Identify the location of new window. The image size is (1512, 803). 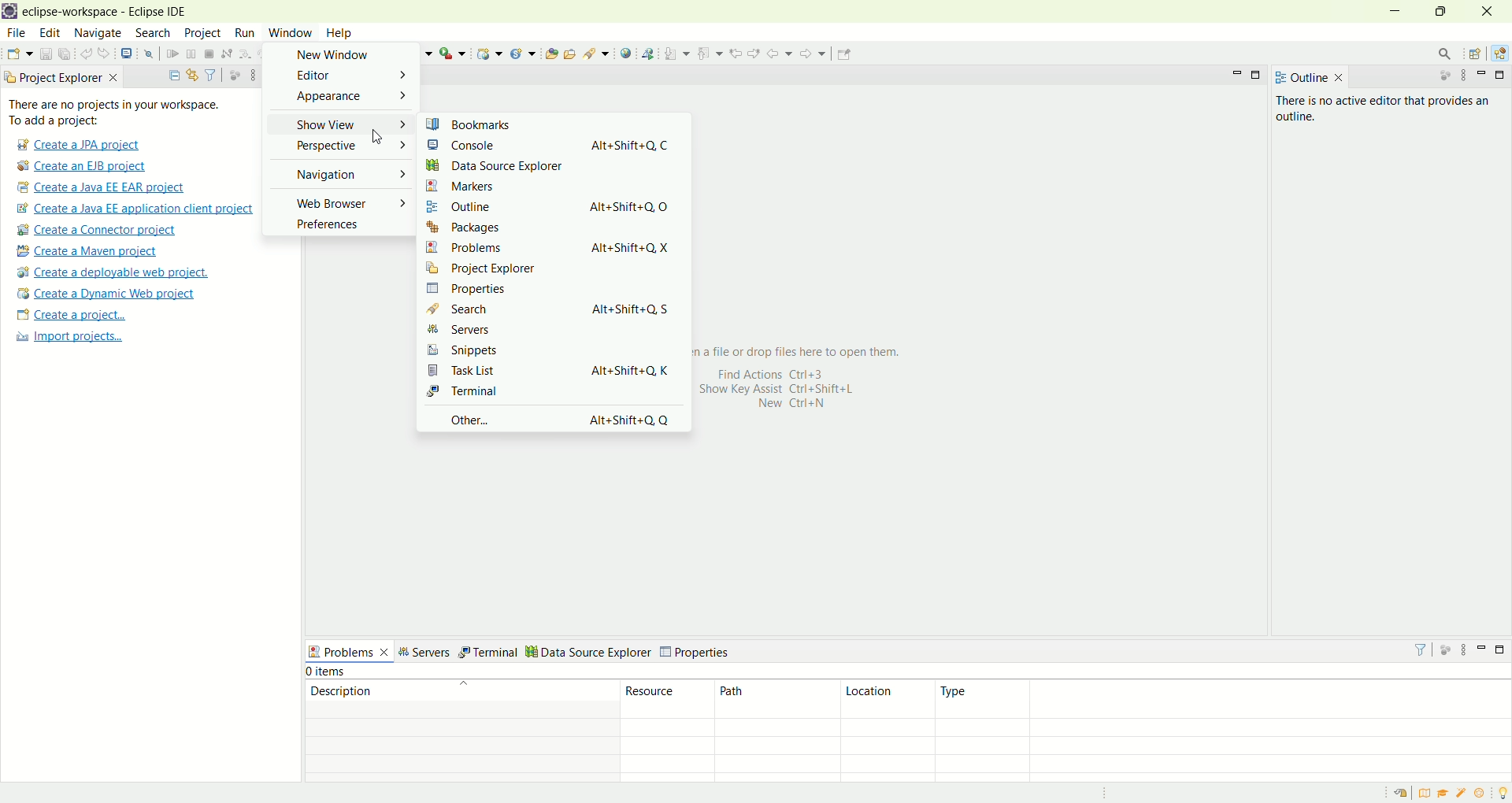
(338, 56).